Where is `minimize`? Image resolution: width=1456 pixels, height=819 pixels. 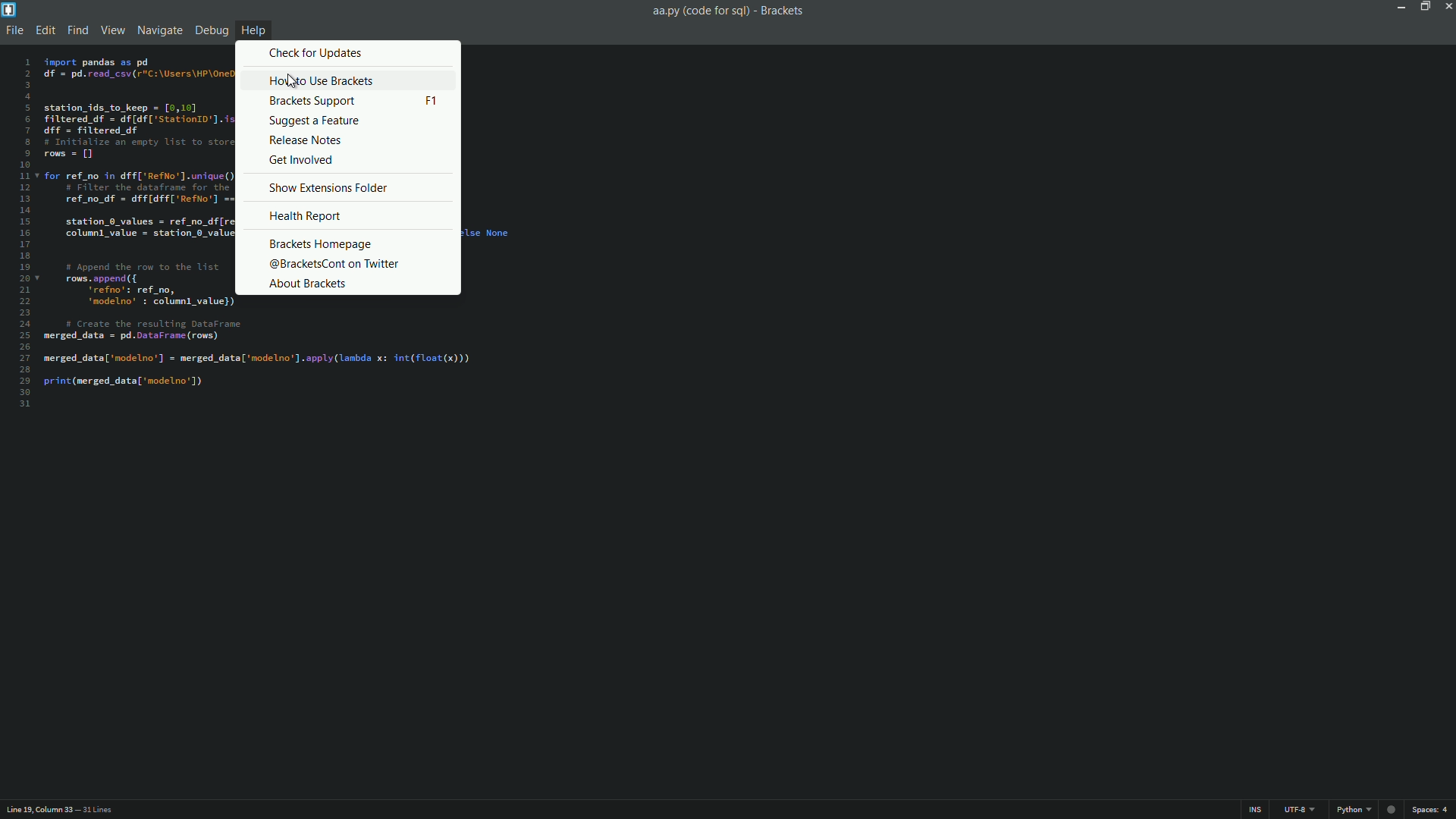
minimize is located at coordinates (1401, 7).